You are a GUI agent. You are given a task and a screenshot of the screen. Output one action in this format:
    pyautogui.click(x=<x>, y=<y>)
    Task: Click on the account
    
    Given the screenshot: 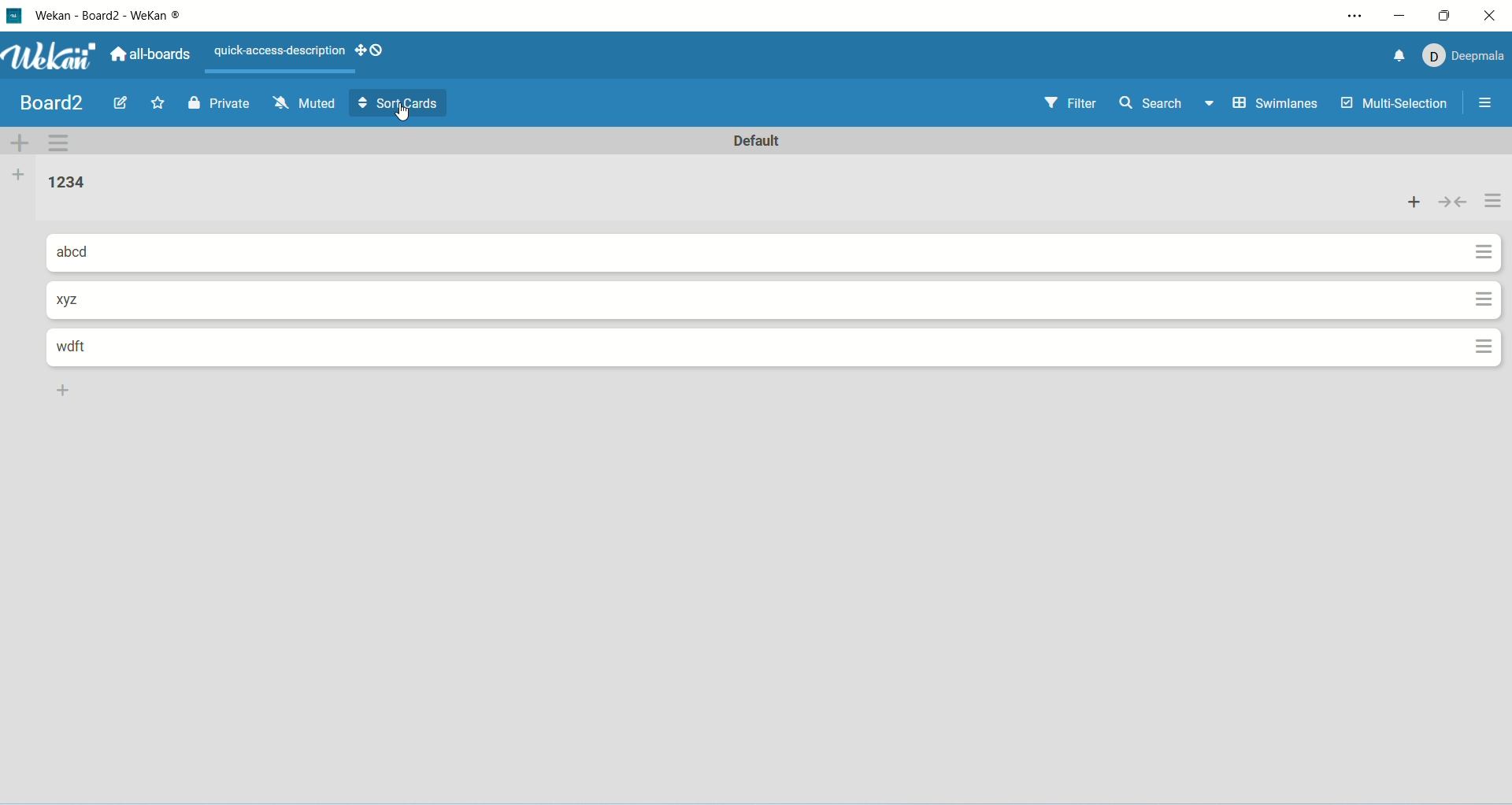 What is the action you would take?
    pyautogui.click(x=1468, y=57)
    